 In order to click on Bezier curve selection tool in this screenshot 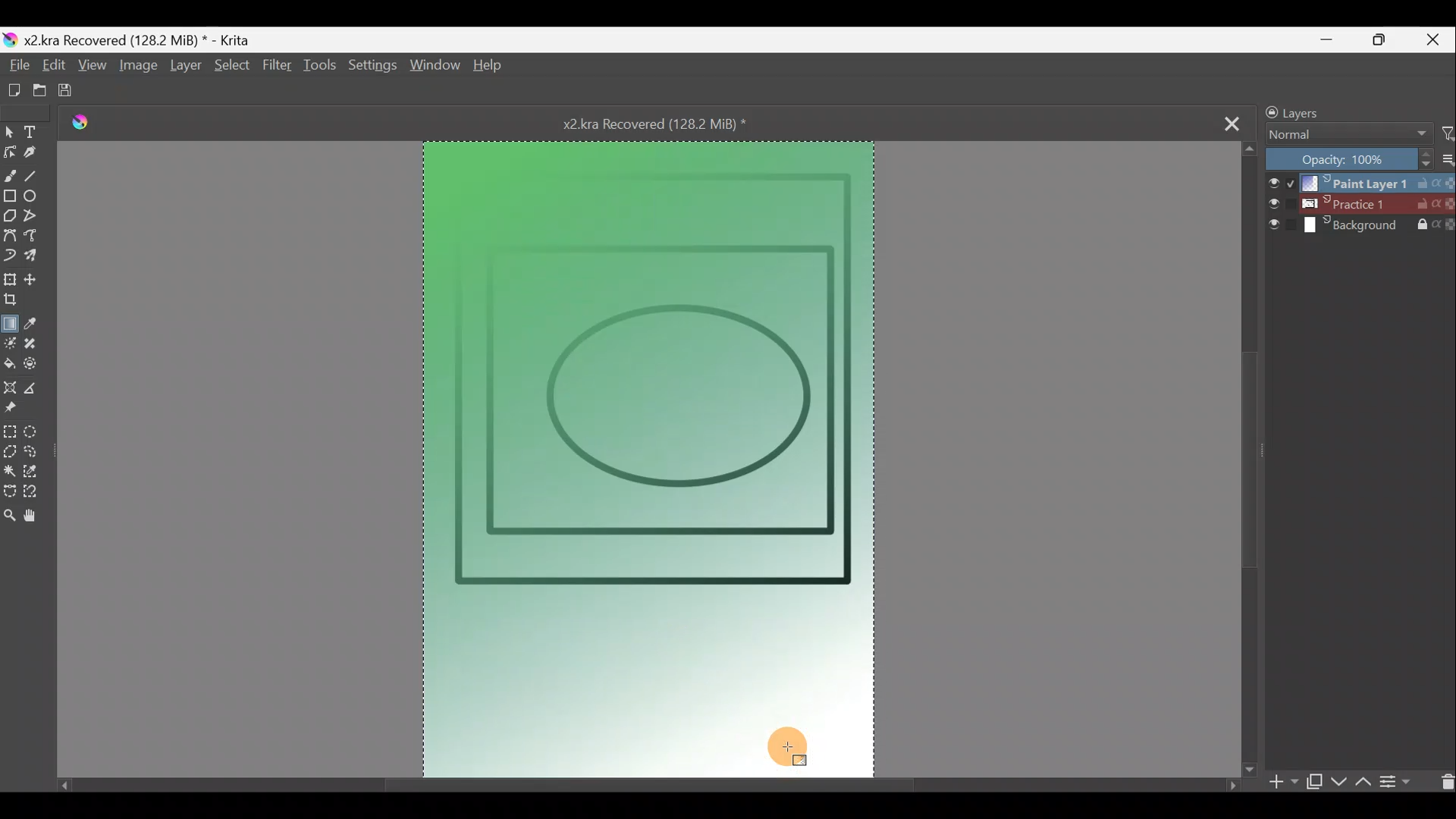, I will do `click(9, 493)`.